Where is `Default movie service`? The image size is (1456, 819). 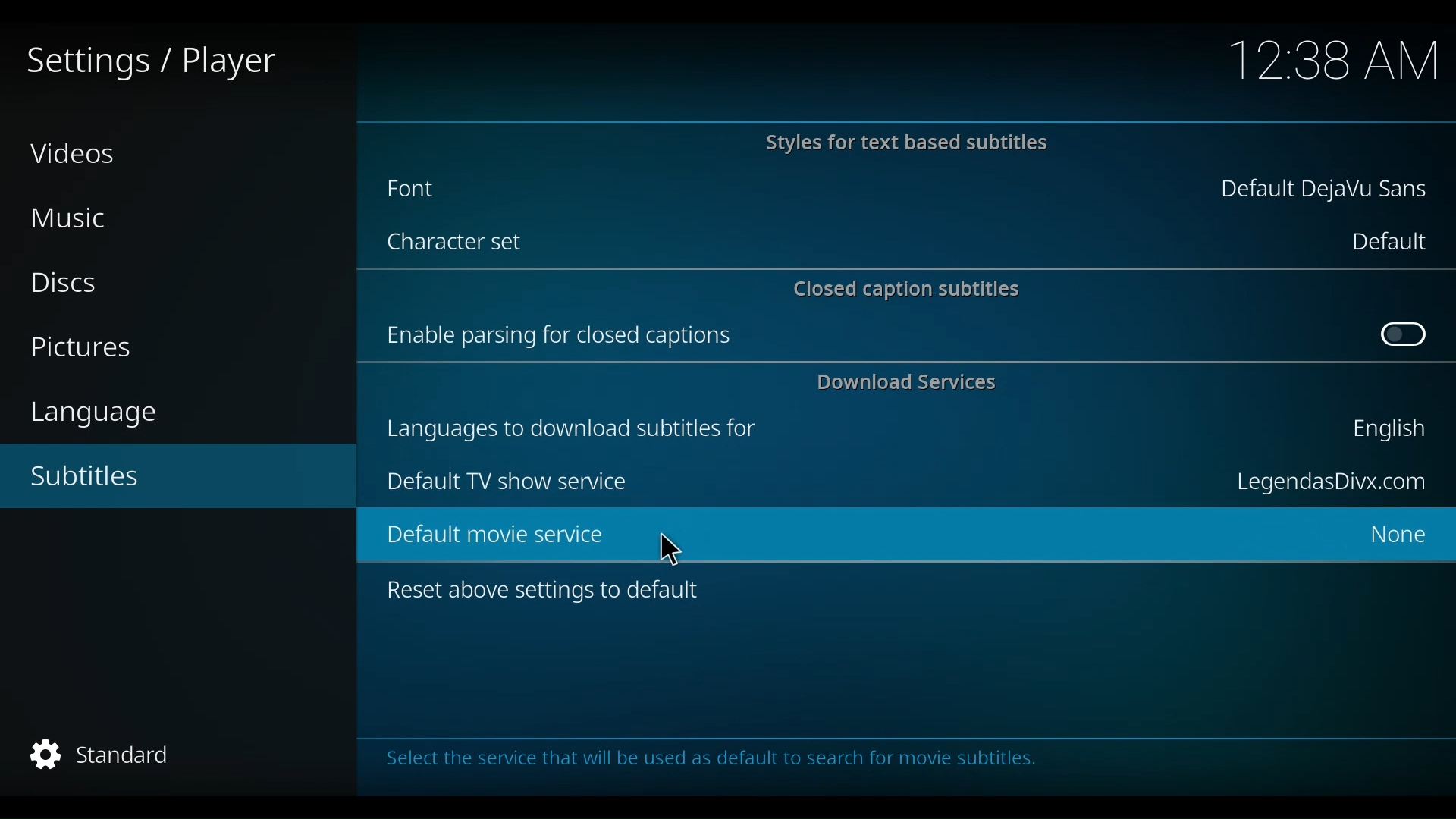
Default movie service is located at coordinates (841, 535).